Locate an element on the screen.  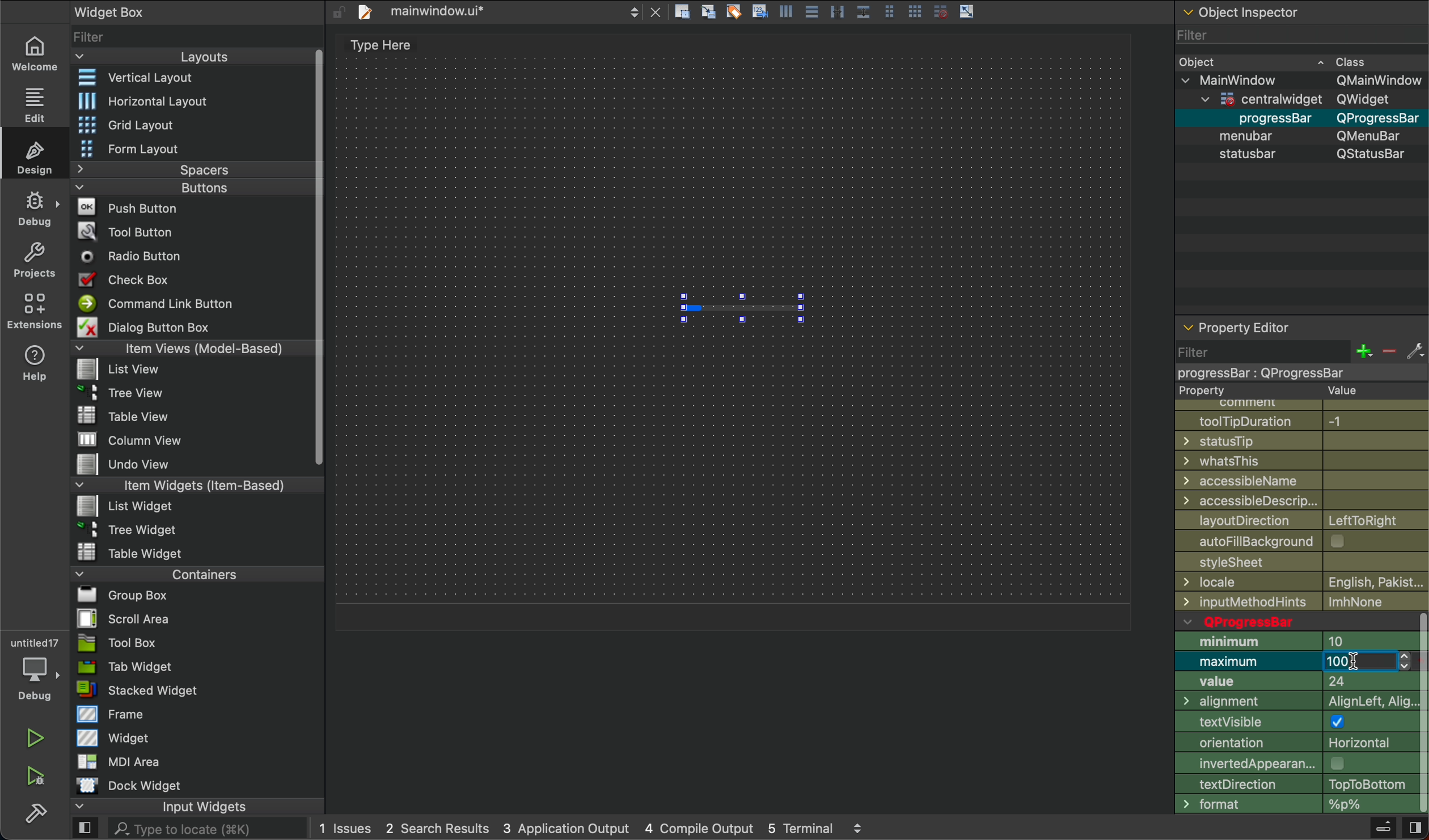
widget box is located at coordinates (143, 11).